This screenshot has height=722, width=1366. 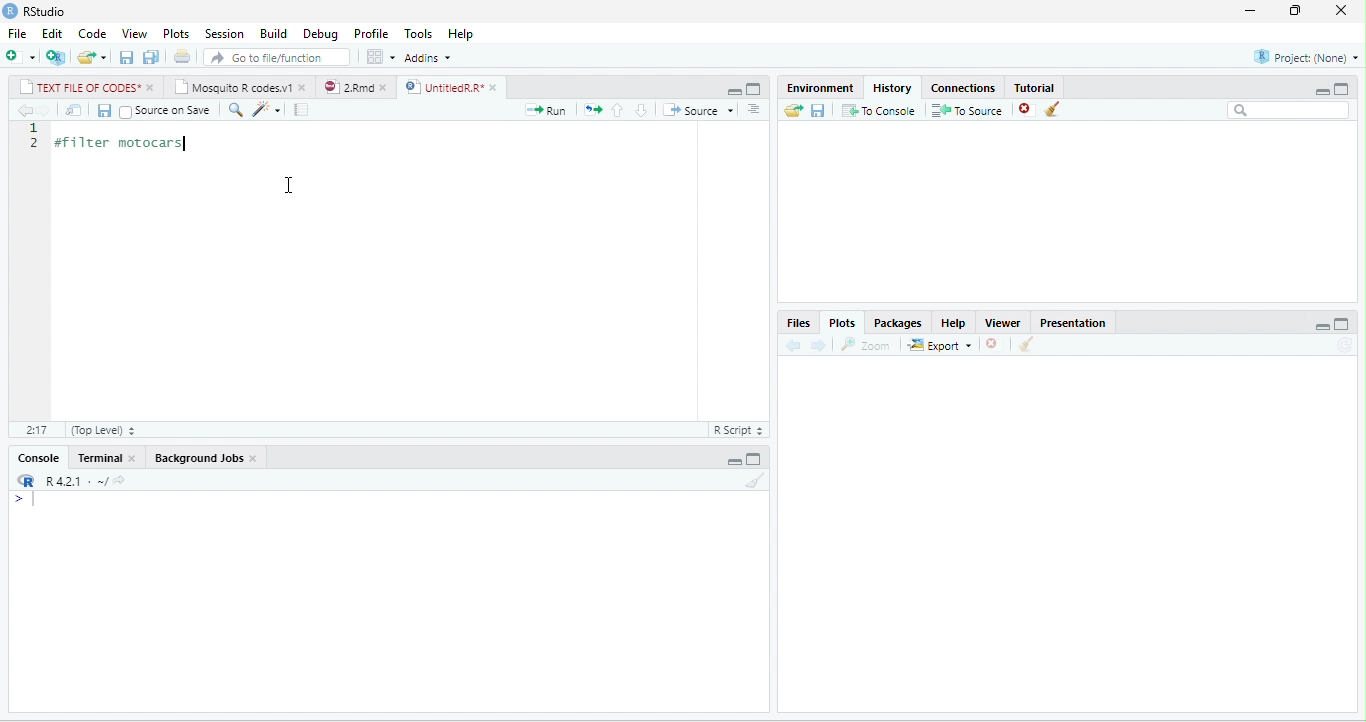 What do you see at coordinates (817, 111) in the screenshot?
I see `save` at bounding box center [817, 111].